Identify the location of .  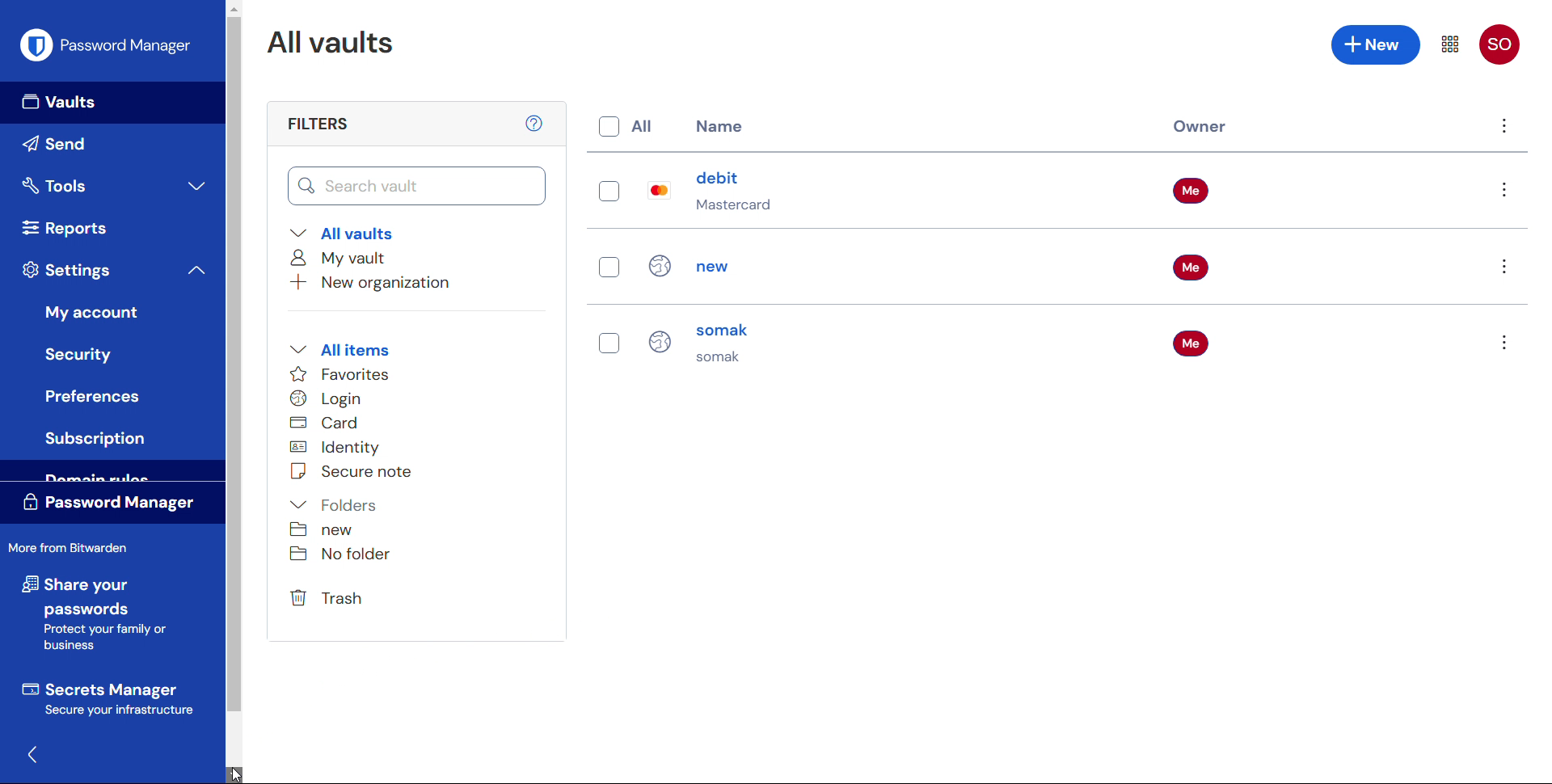
(91, 396).